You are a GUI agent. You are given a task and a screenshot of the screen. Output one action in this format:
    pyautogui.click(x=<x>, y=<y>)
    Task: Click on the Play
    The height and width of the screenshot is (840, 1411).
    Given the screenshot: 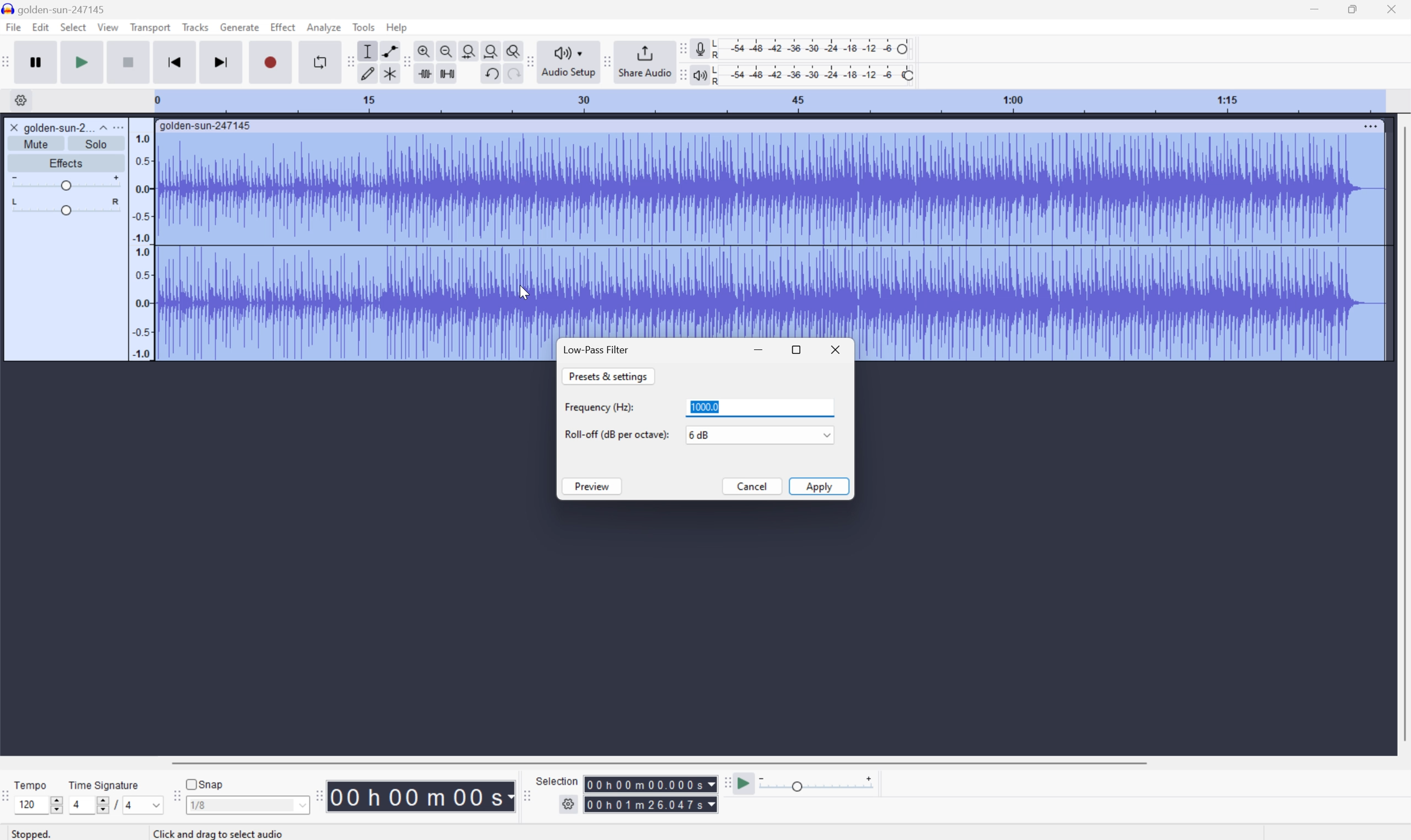 What is the action you would take?
    pyautogui.click(x=82, y=61)
    